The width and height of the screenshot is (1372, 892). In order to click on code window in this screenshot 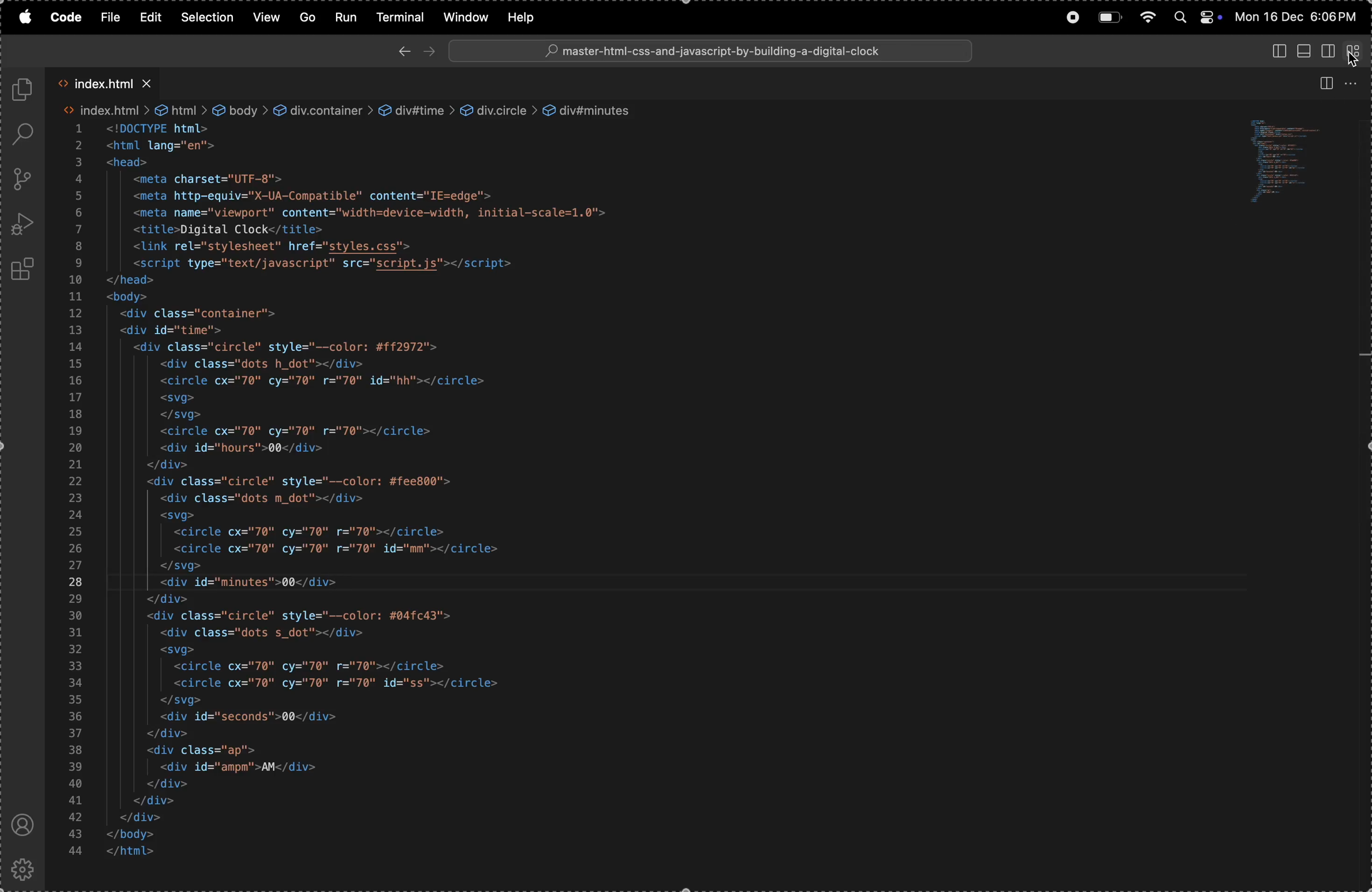, I will do `click(1301, 163)`.